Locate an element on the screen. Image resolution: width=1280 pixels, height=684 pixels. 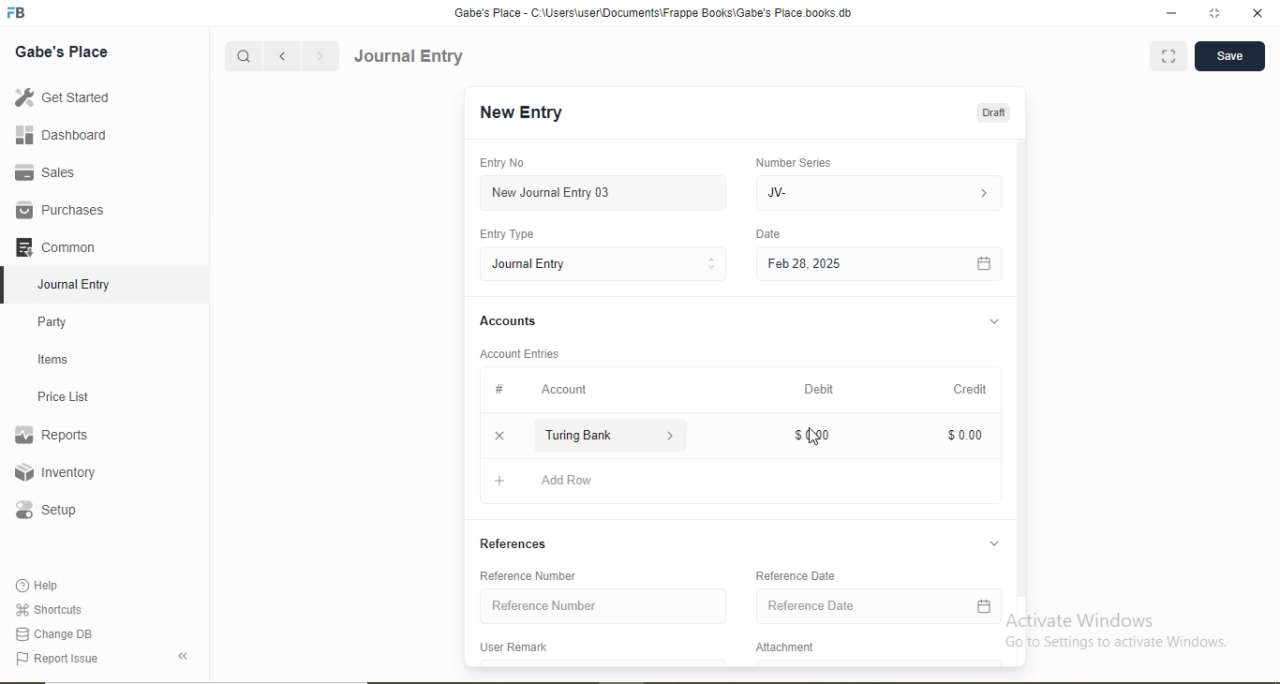
Reference Date is located at coordinates (795, 574).